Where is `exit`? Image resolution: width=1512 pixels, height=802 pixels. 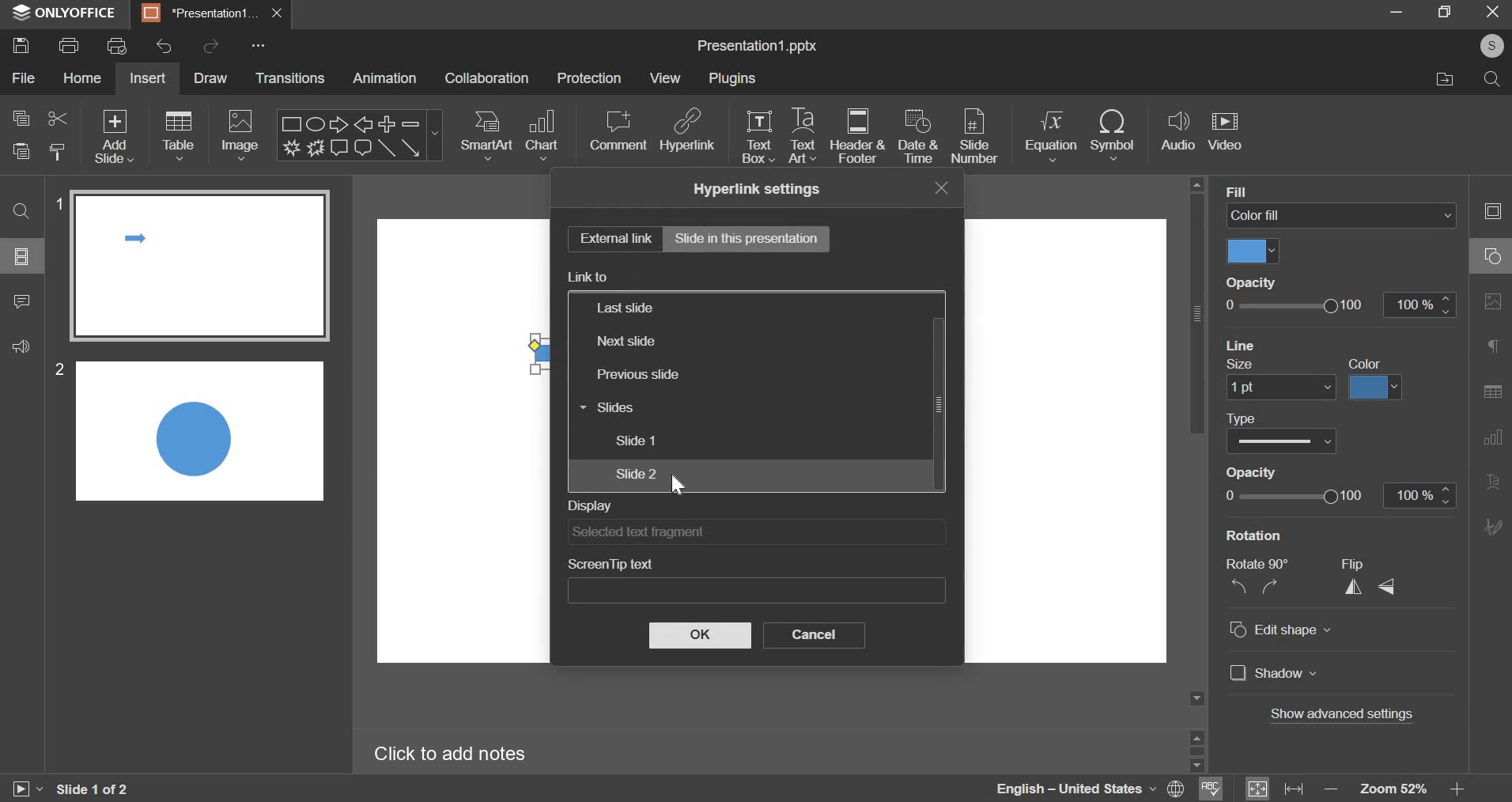 exit is located at coordinates (941, 187).